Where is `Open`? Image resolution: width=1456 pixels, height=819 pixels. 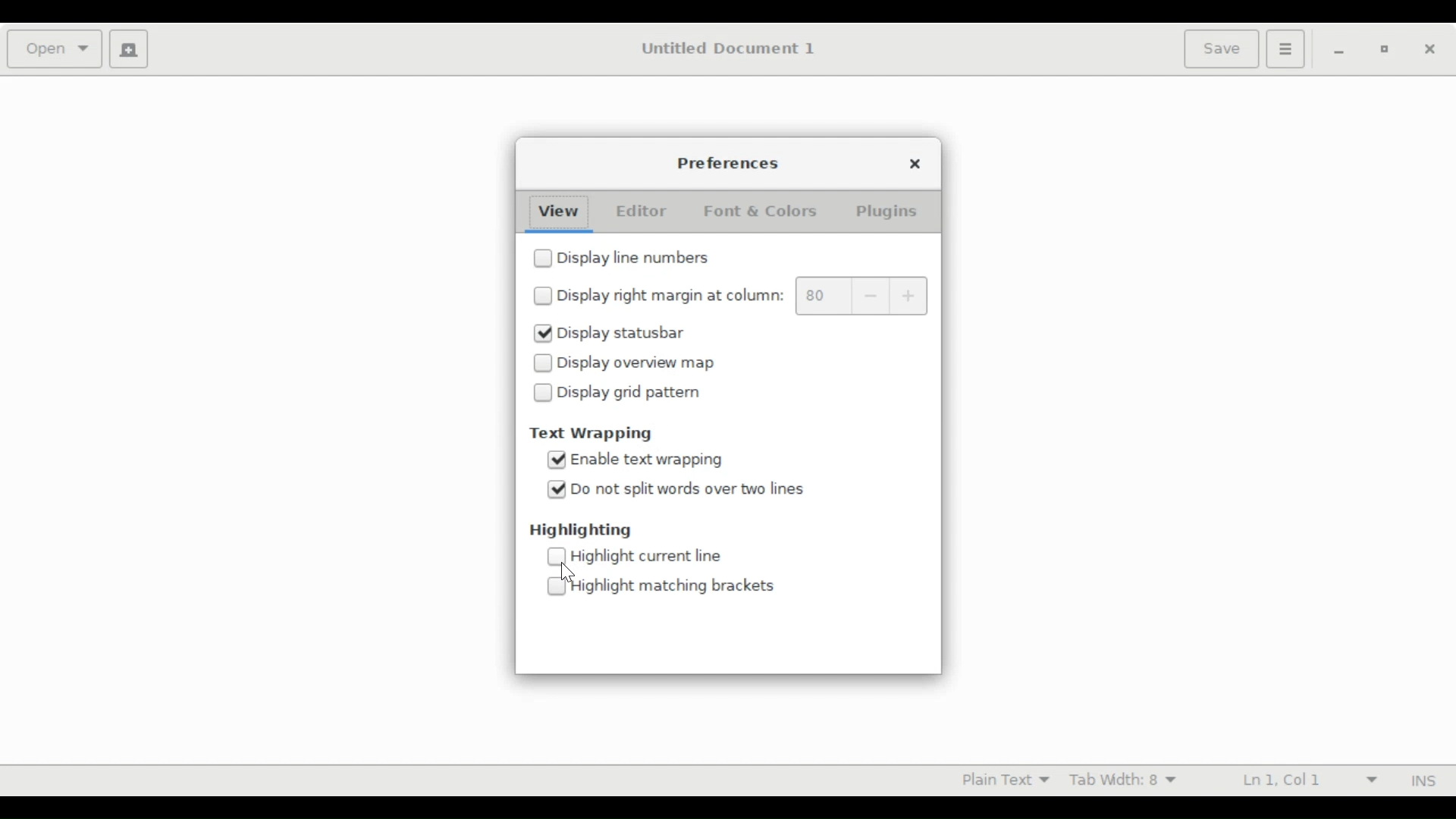 Open is located at coordinates (52, 48).